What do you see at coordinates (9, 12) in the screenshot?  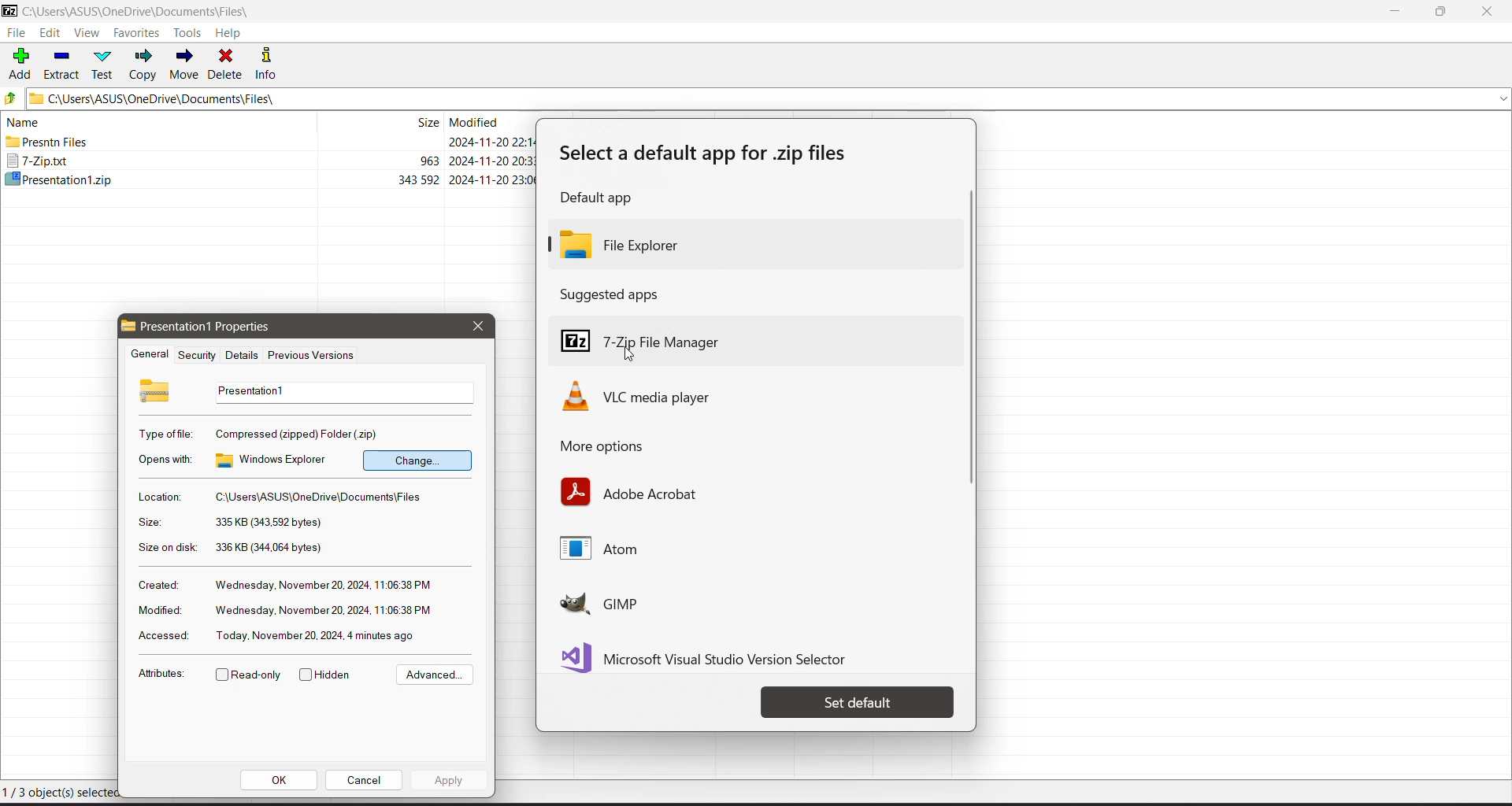 I see `Application Logo` at bounding box center [9, 12].